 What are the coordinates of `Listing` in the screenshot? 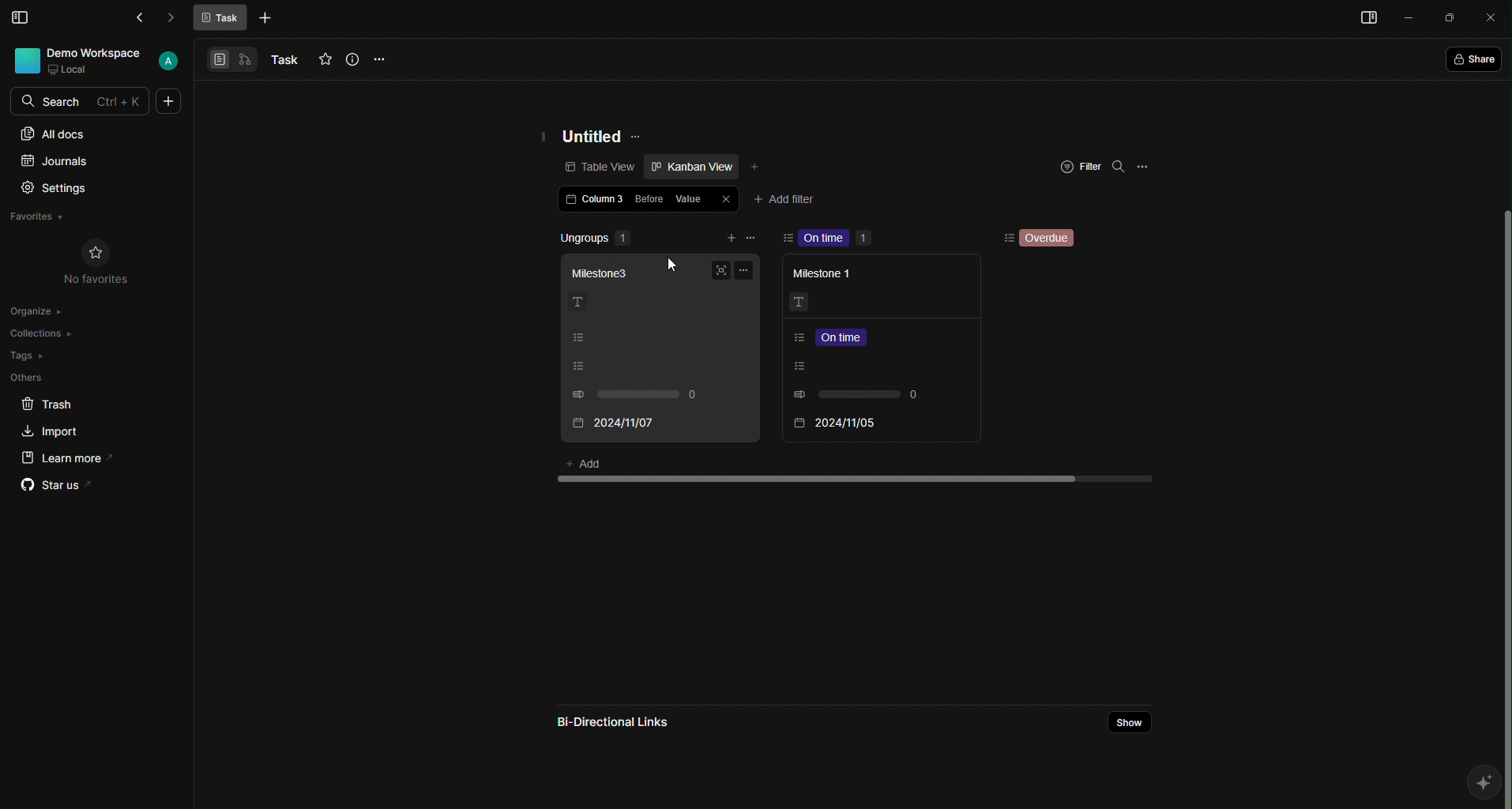 It's located at (840, 337).